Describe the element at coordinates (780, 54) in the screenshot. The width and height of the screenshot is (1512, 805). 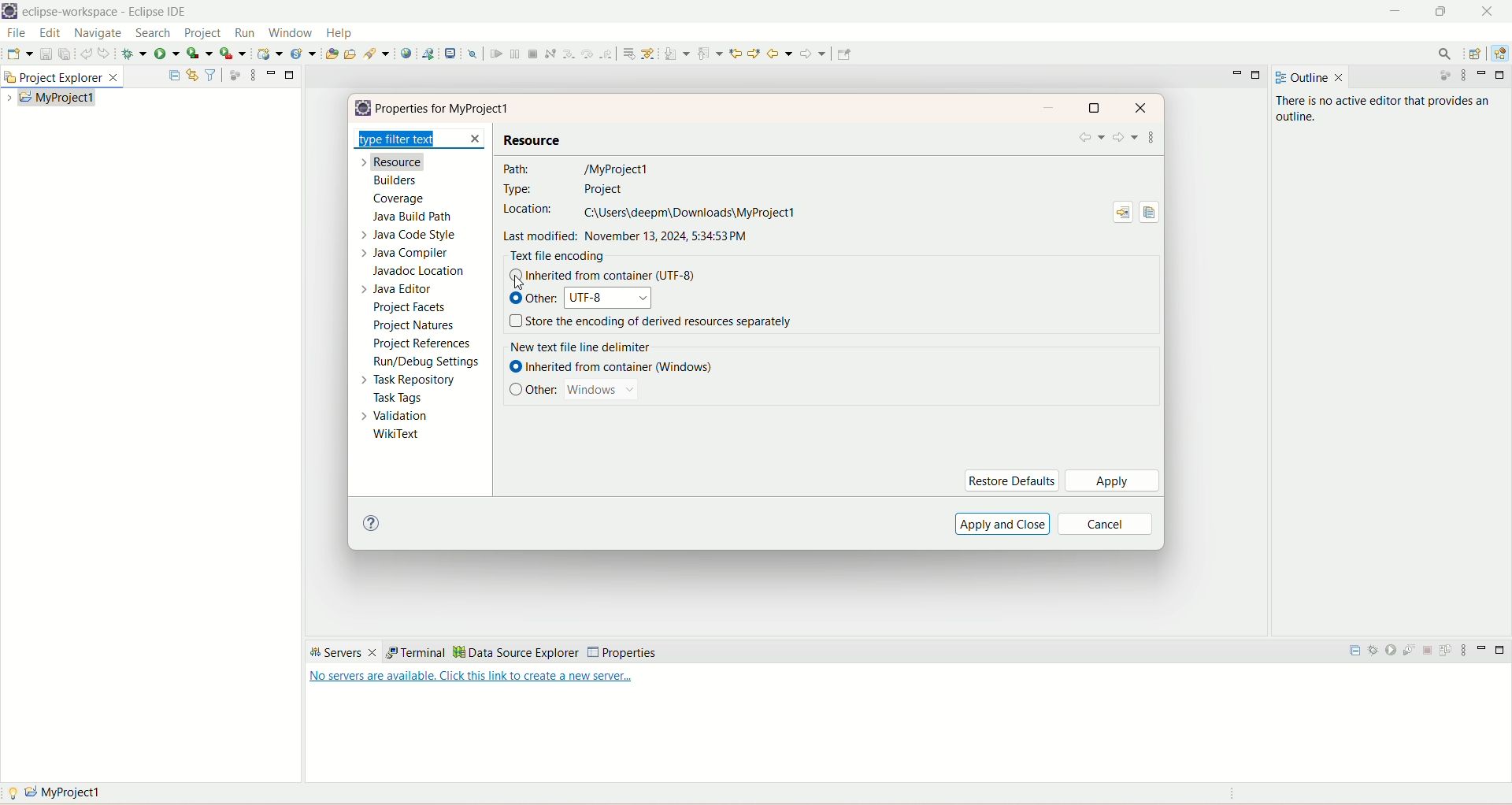
I see `back` at that location.